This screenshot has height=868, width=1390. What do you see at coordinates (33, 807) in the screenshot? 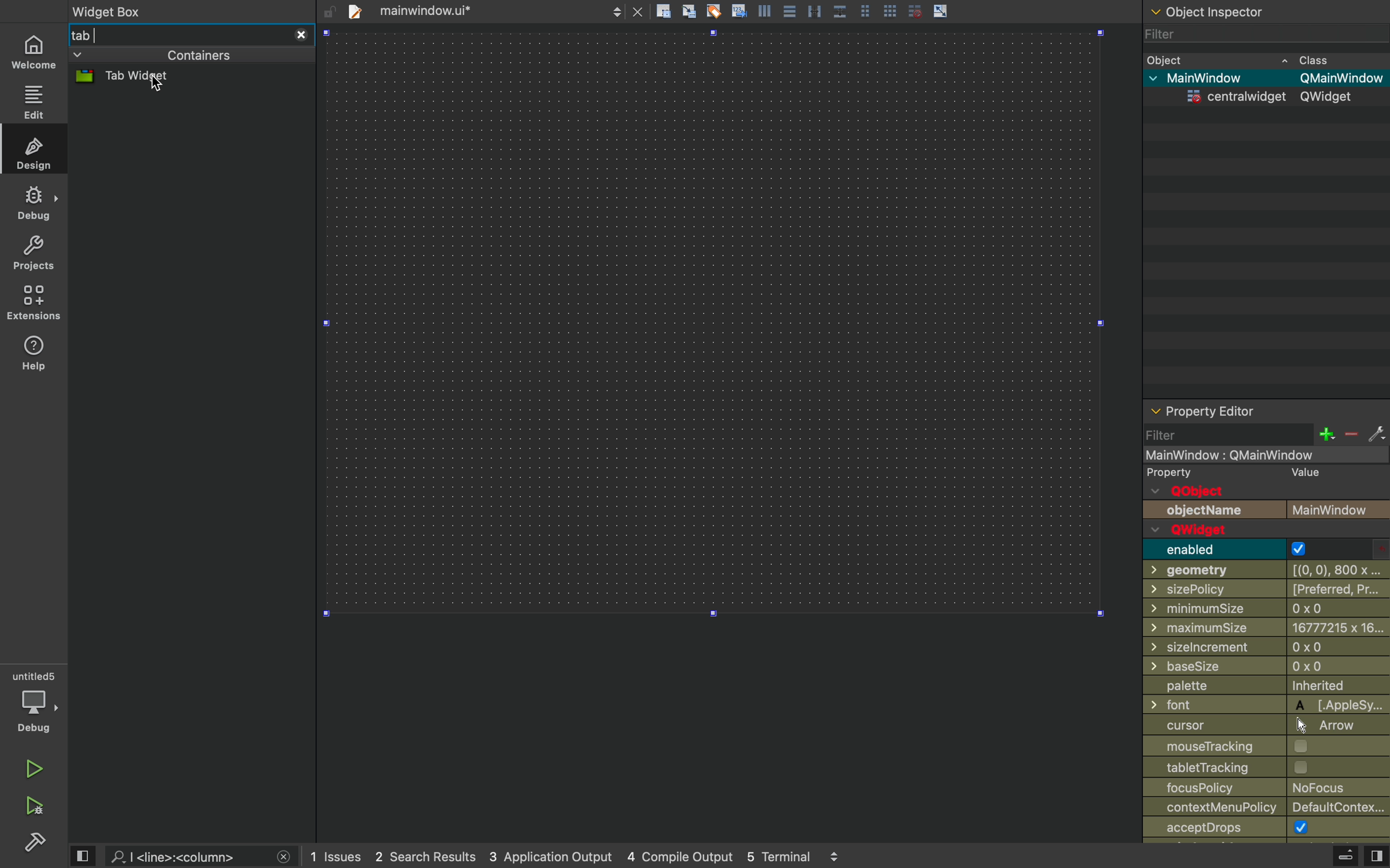
I see `run and debug` at bounding box center [33, 807].